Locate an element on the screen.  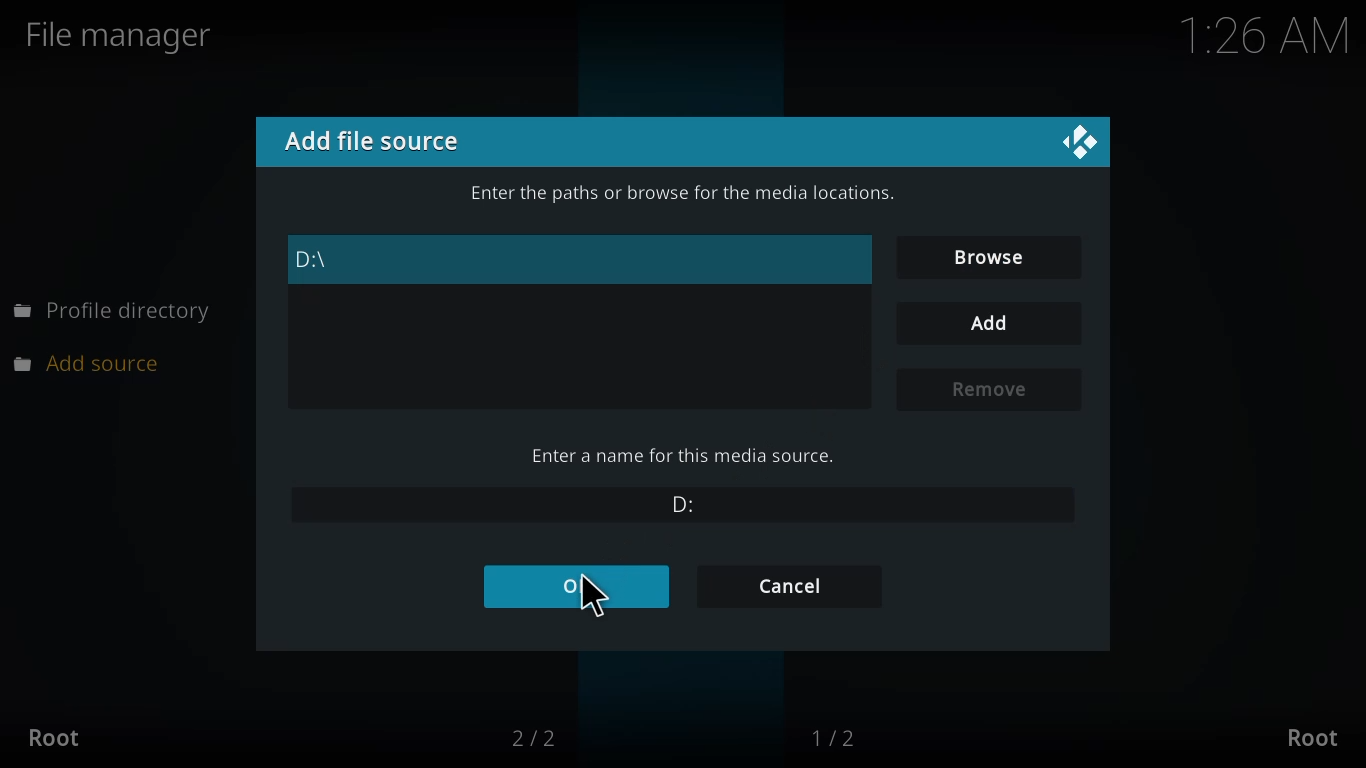
1/2 is located at coordinates (850, 734).